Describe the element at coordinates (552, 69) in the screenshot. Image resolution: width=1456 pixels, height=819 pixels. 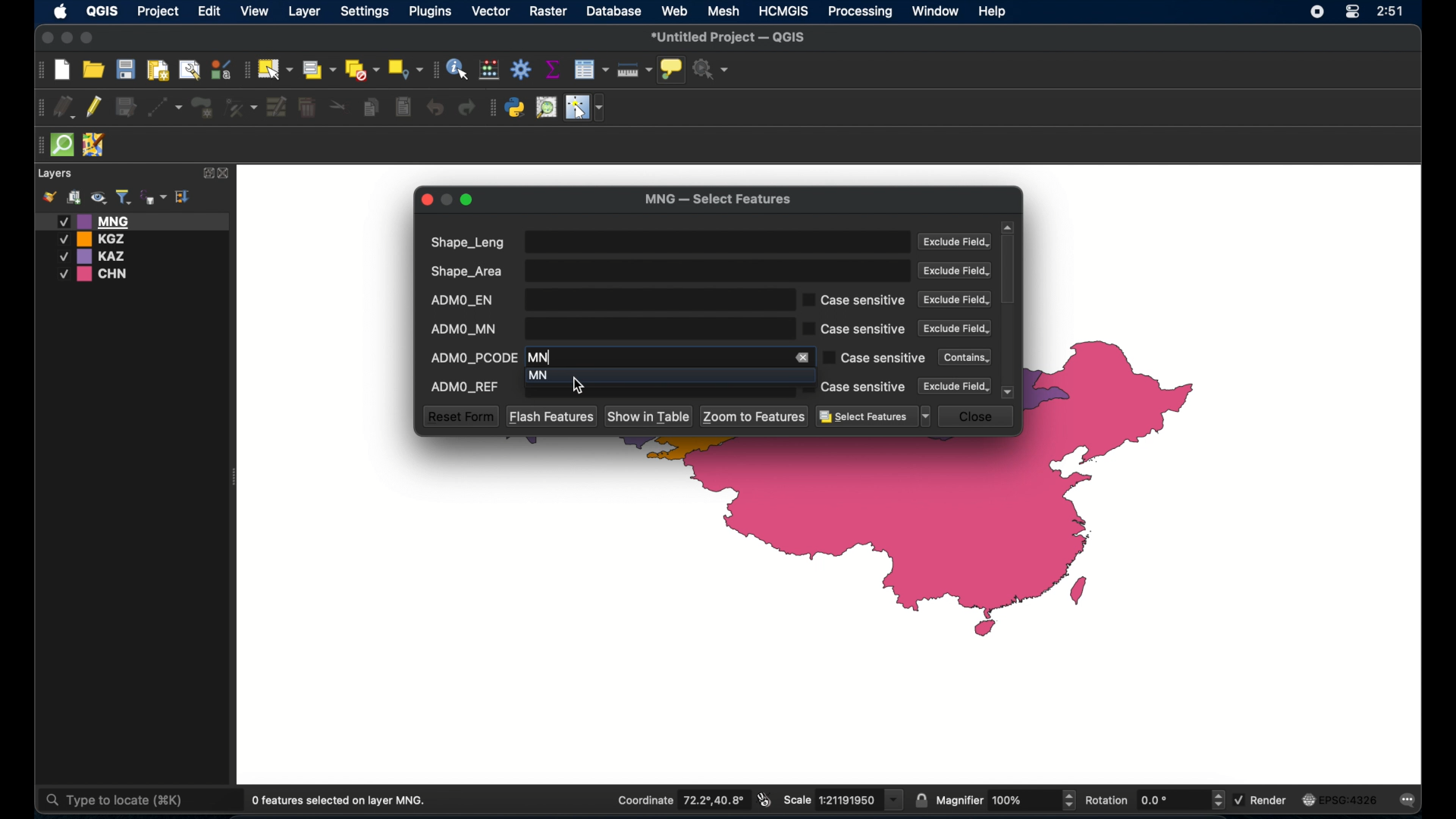
I see `show statistical summary` at that location.